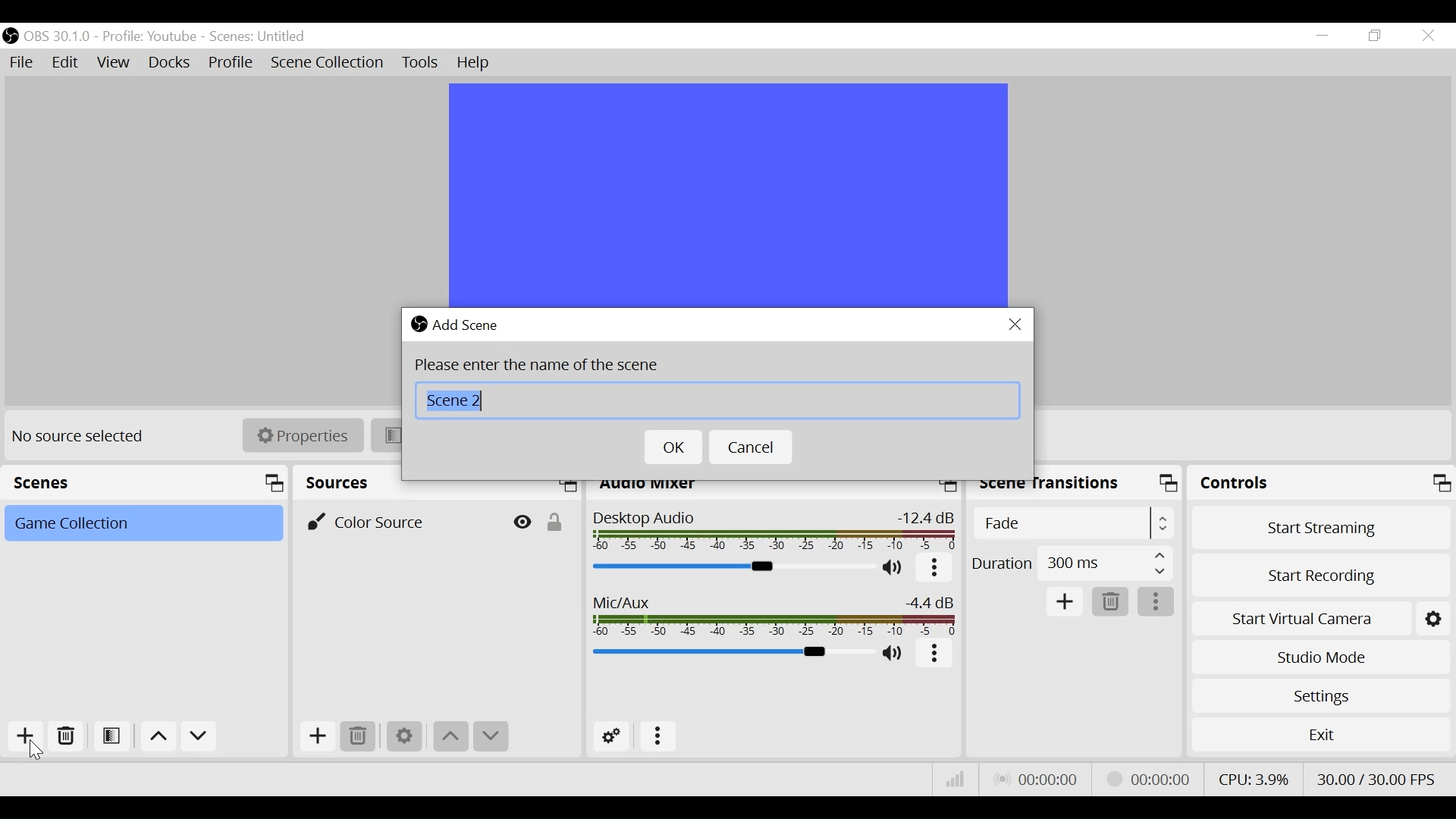 The height and width of the screenshot is (819, 1456). Describe the element at coordinates (1301, 616) in the screenshot. I see `Start Virtual Camera` at that location.